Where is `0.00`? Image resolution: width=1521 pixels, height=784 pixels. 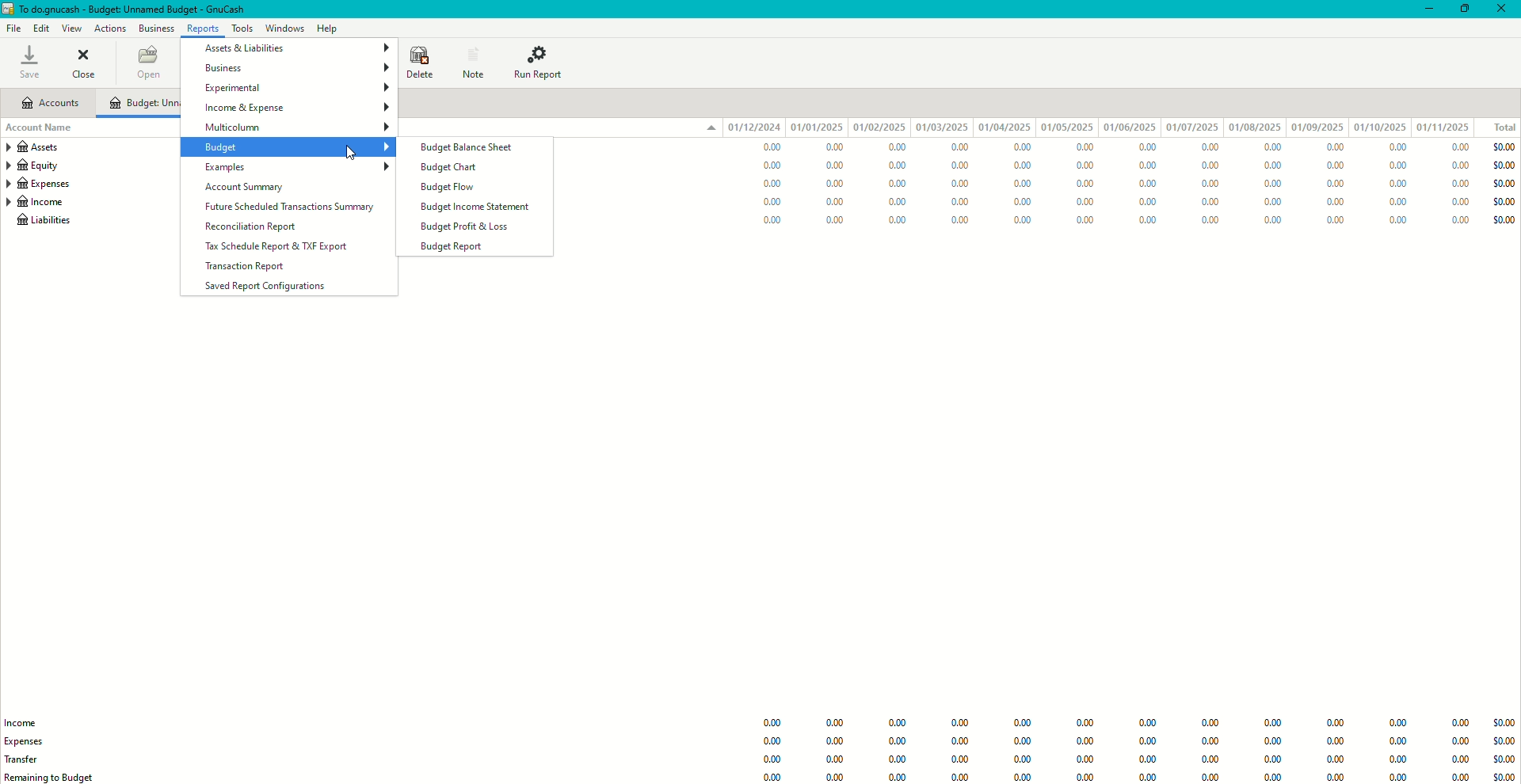 0.00 is located at coordinates (776, 722).